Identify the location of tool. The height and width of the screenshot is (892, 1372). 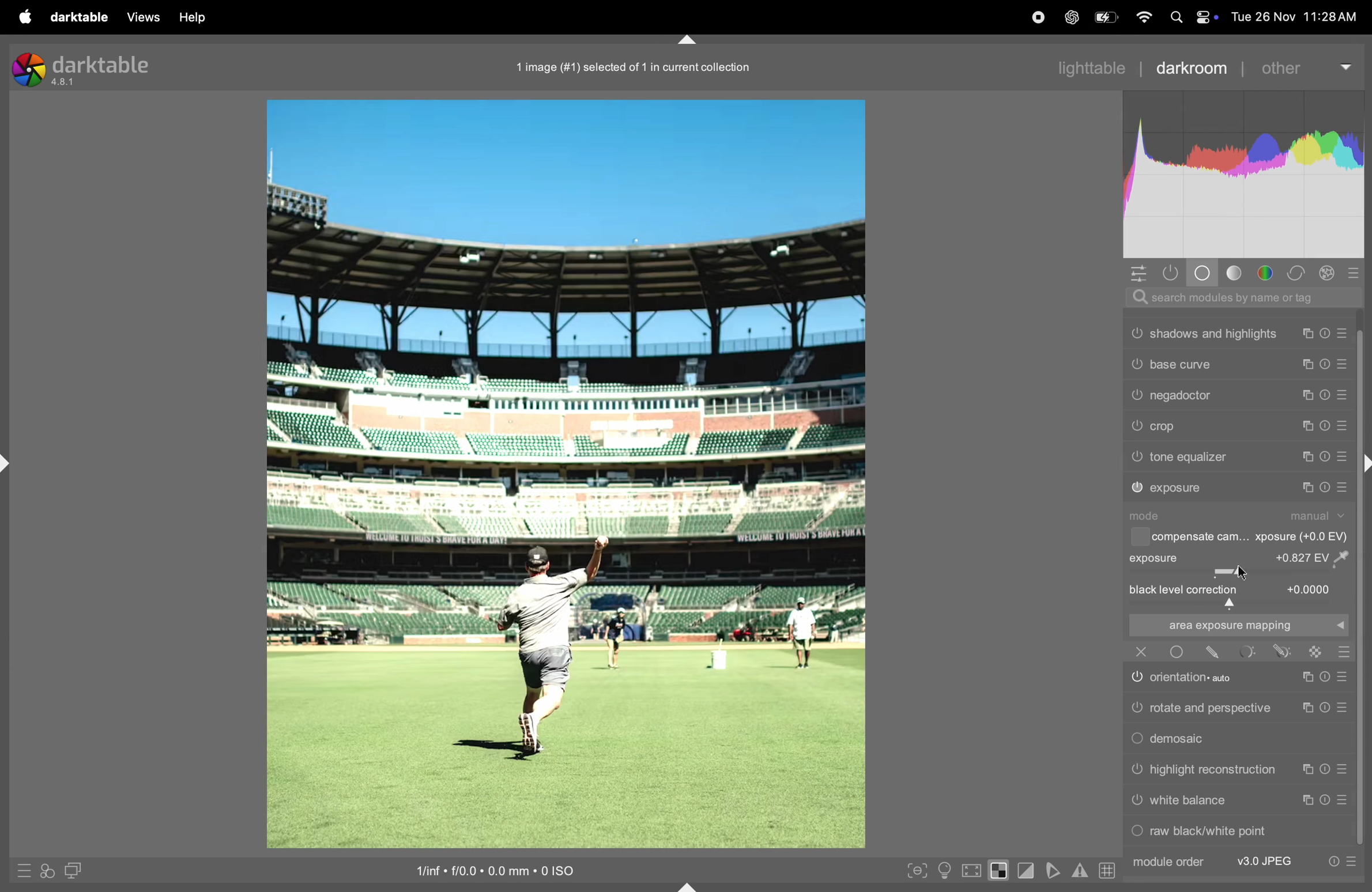
(1249, 651).